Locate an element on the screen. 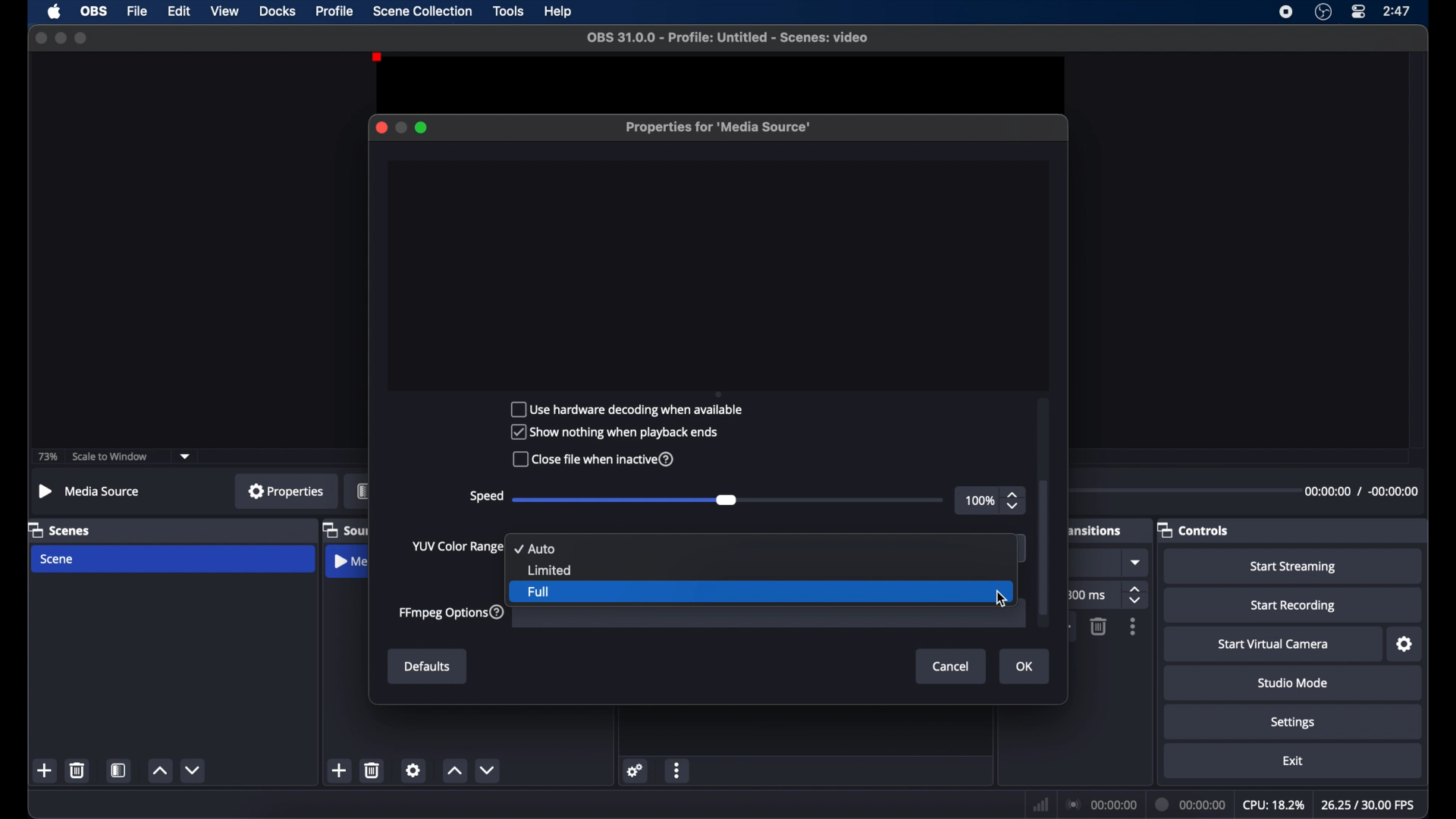 The height and width of the screenshot is (819, 1456). more options is located at coordinates (678, 770).